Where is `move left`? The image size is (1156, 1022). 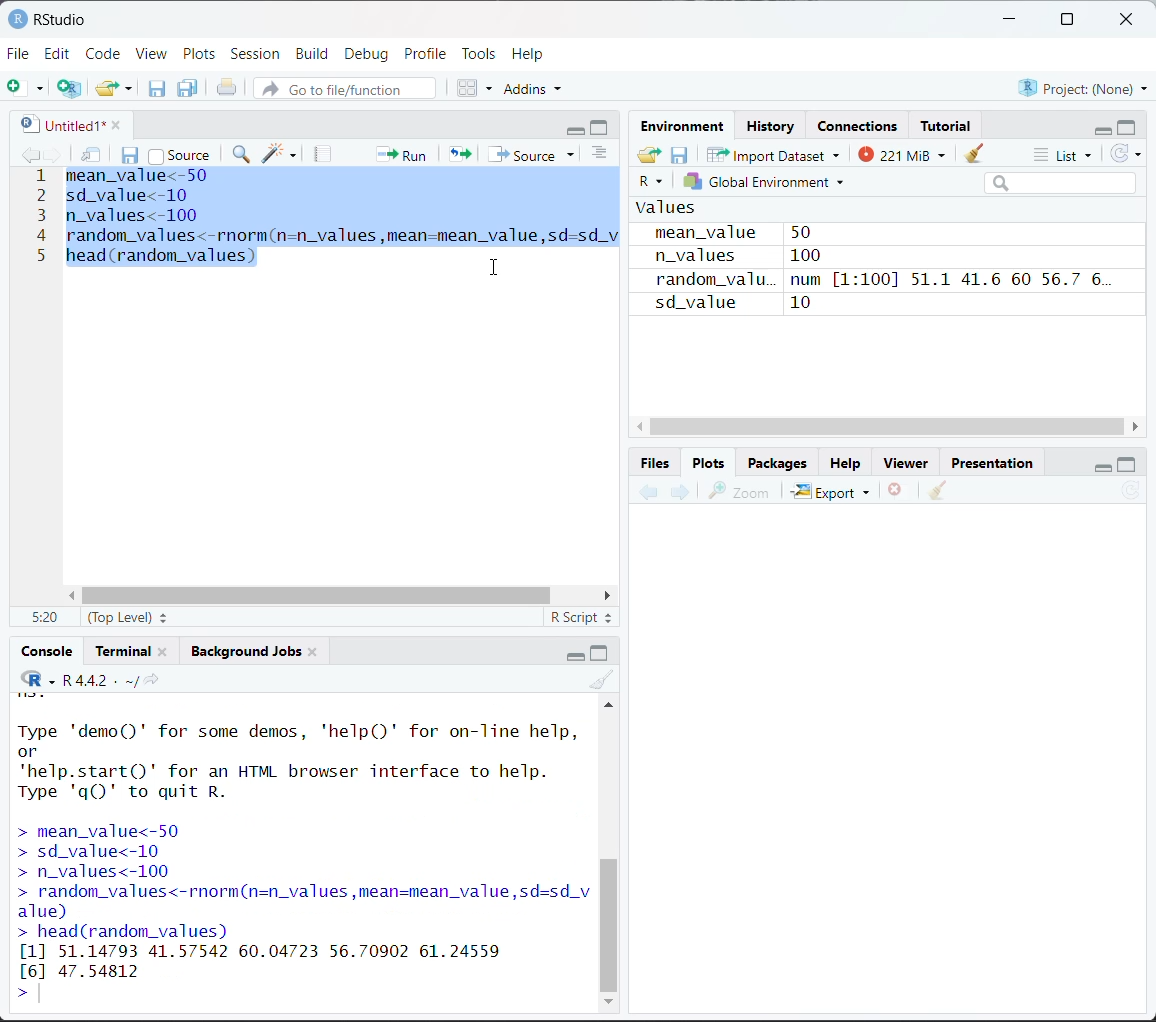
move left is located at coordinates (642, 429).